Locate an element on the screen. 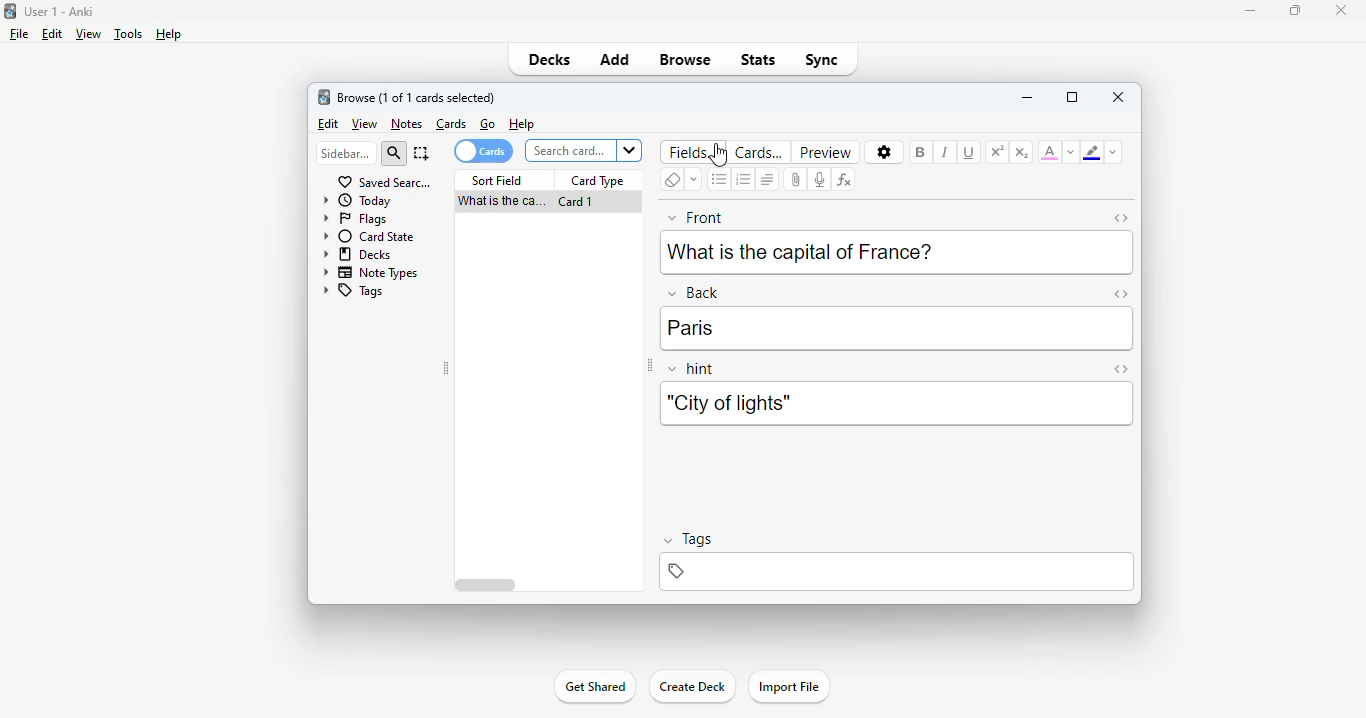 This screenshot has height=718, width=1366. sort field is located at coordinates (497, 181).